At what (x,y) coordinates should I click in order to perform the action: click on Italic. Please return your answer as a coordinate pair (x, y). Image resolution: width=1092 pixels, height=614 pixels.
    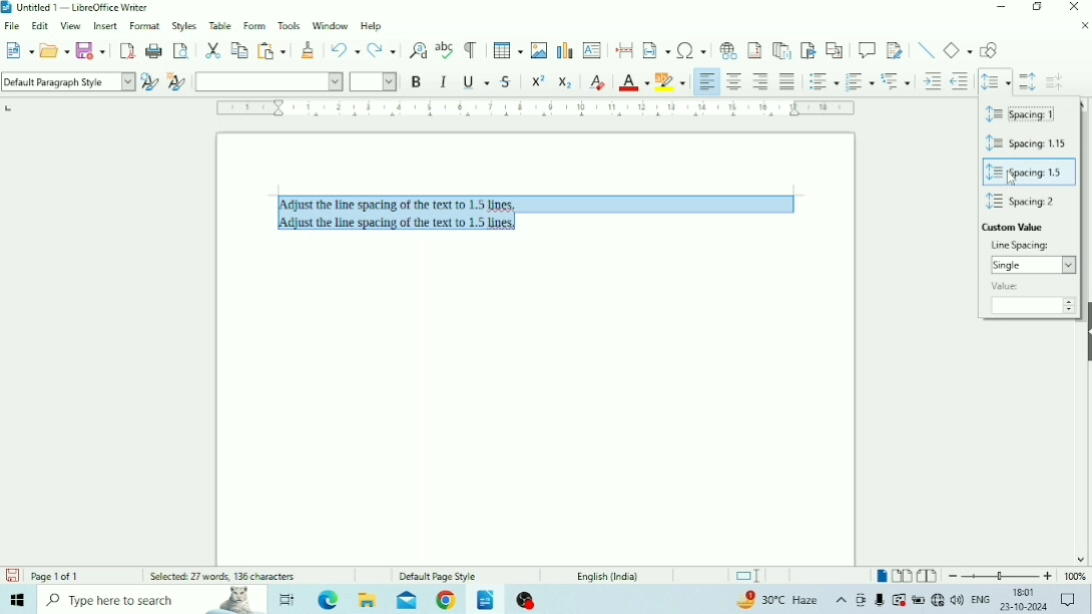
    Looking at the image, I should click on (444, 82).